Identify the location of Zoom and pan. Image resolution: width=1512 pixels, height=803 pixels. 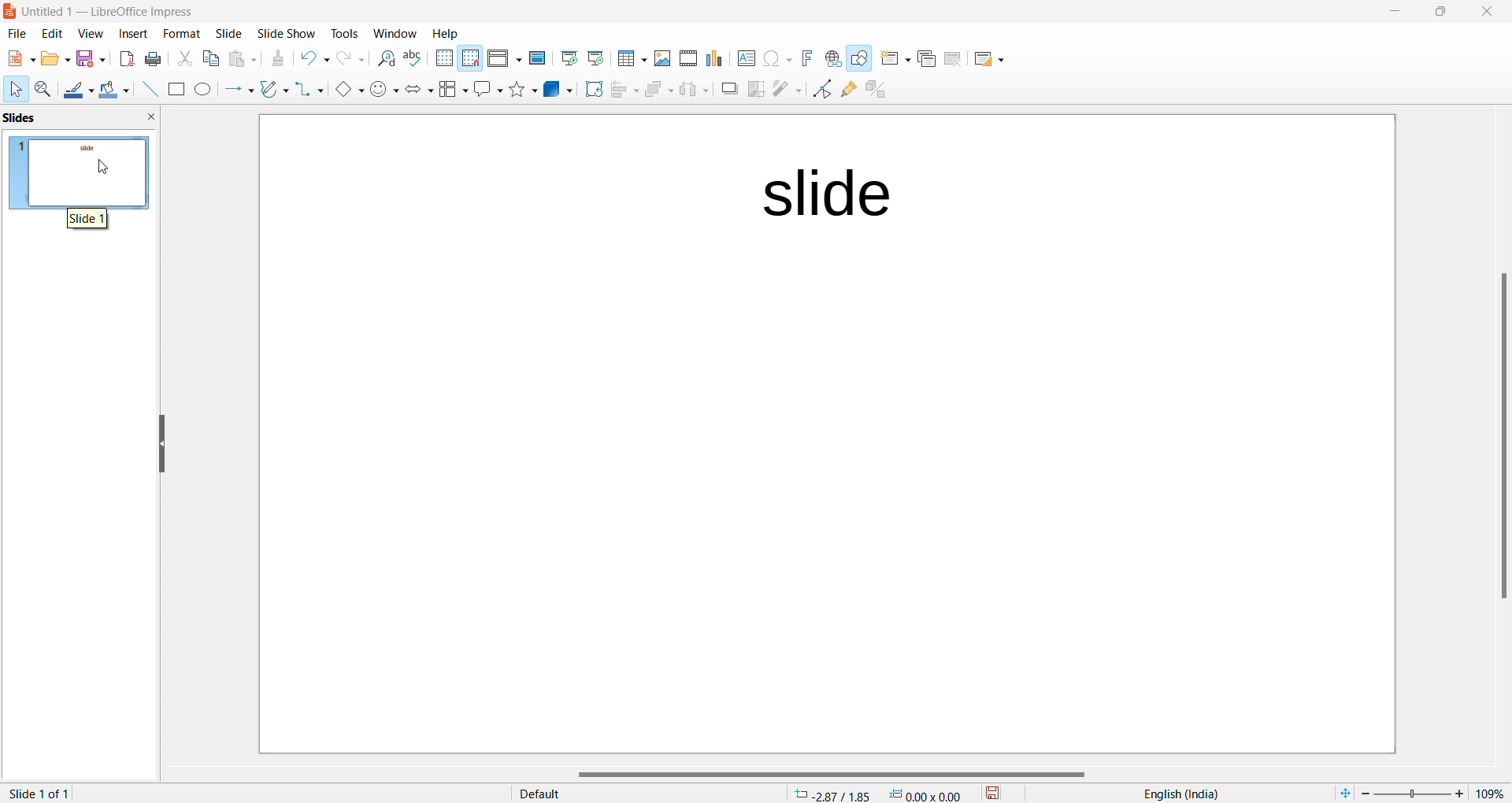
(41, 88).